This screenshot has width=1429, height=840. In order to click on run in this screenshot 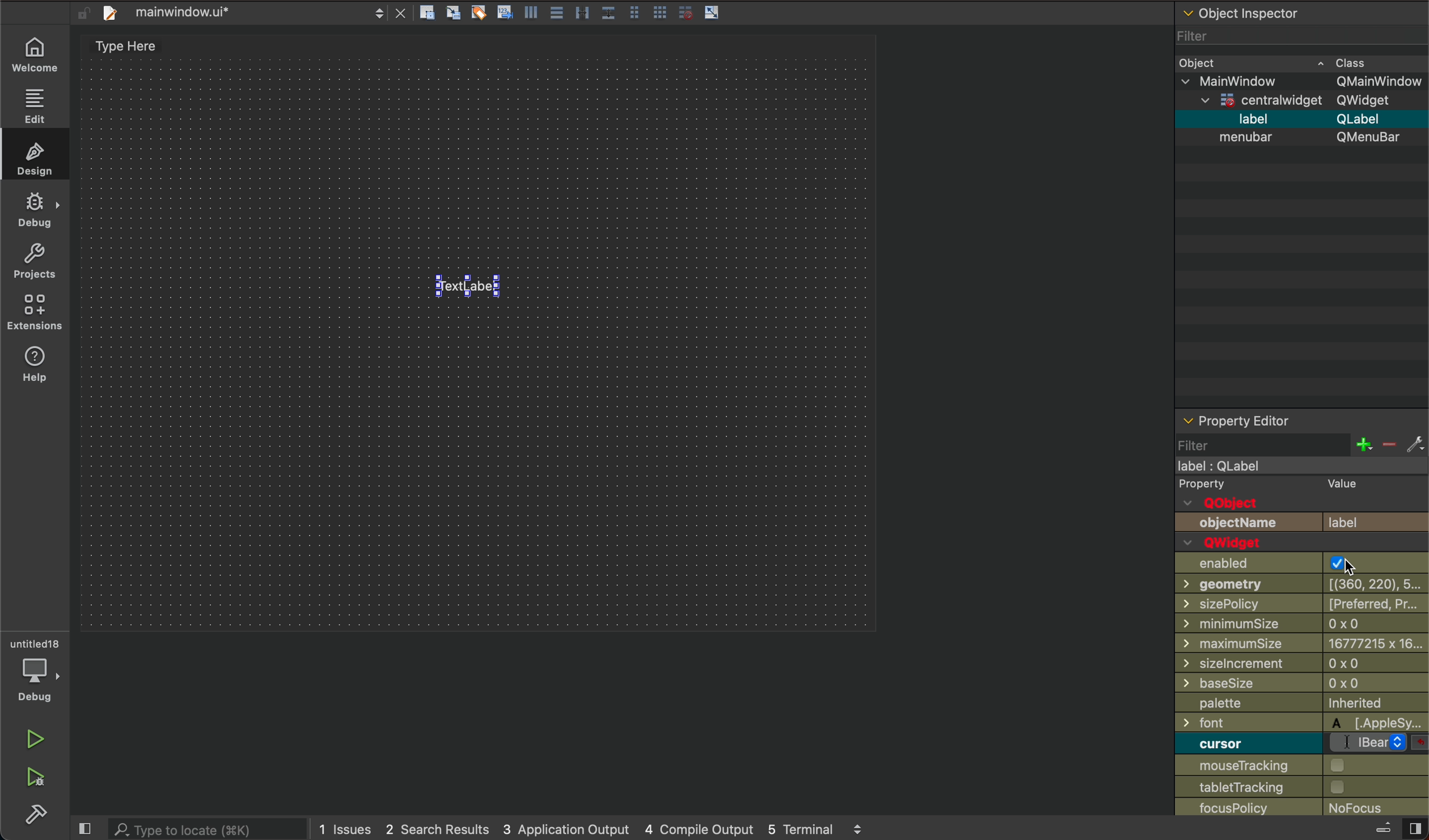, I will do `click(35, 736)`.